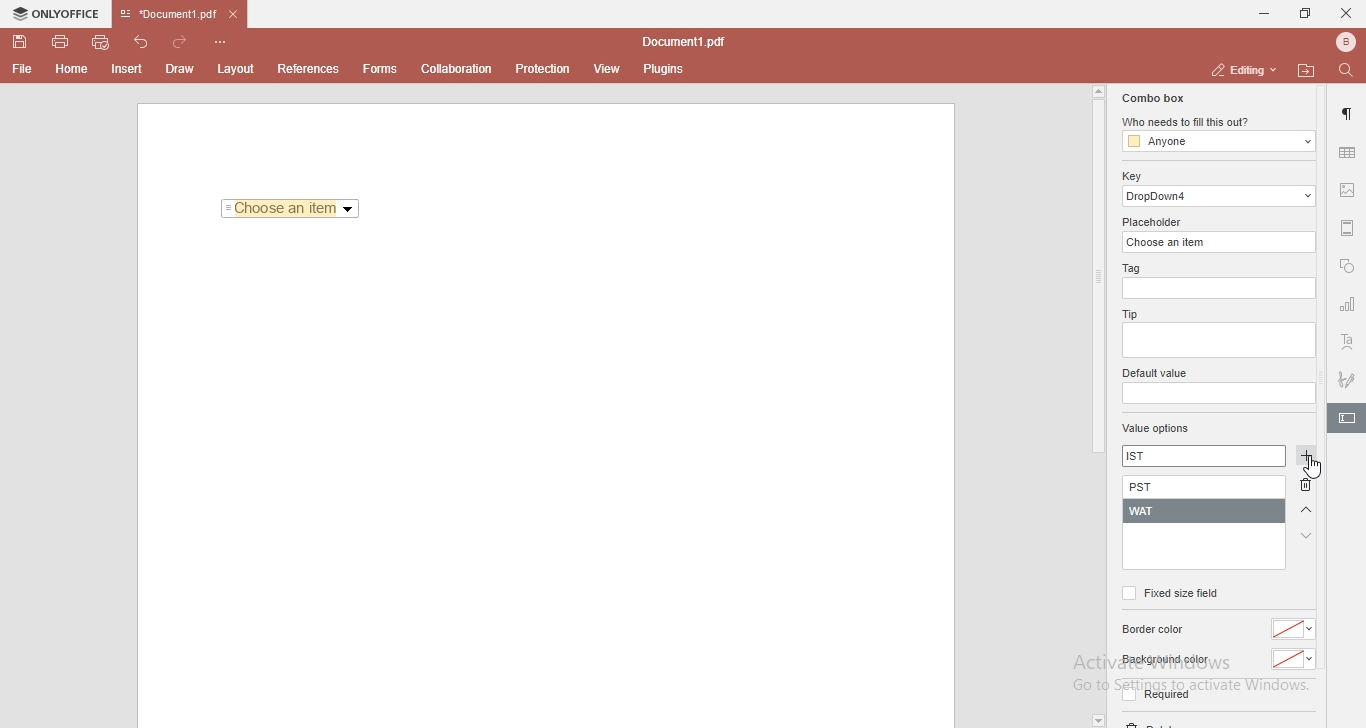 The height and width of the screenshot is (728, 1366). Describe the element at coordinates (1156, 630) in the screenshot. I see `border color` at that location.